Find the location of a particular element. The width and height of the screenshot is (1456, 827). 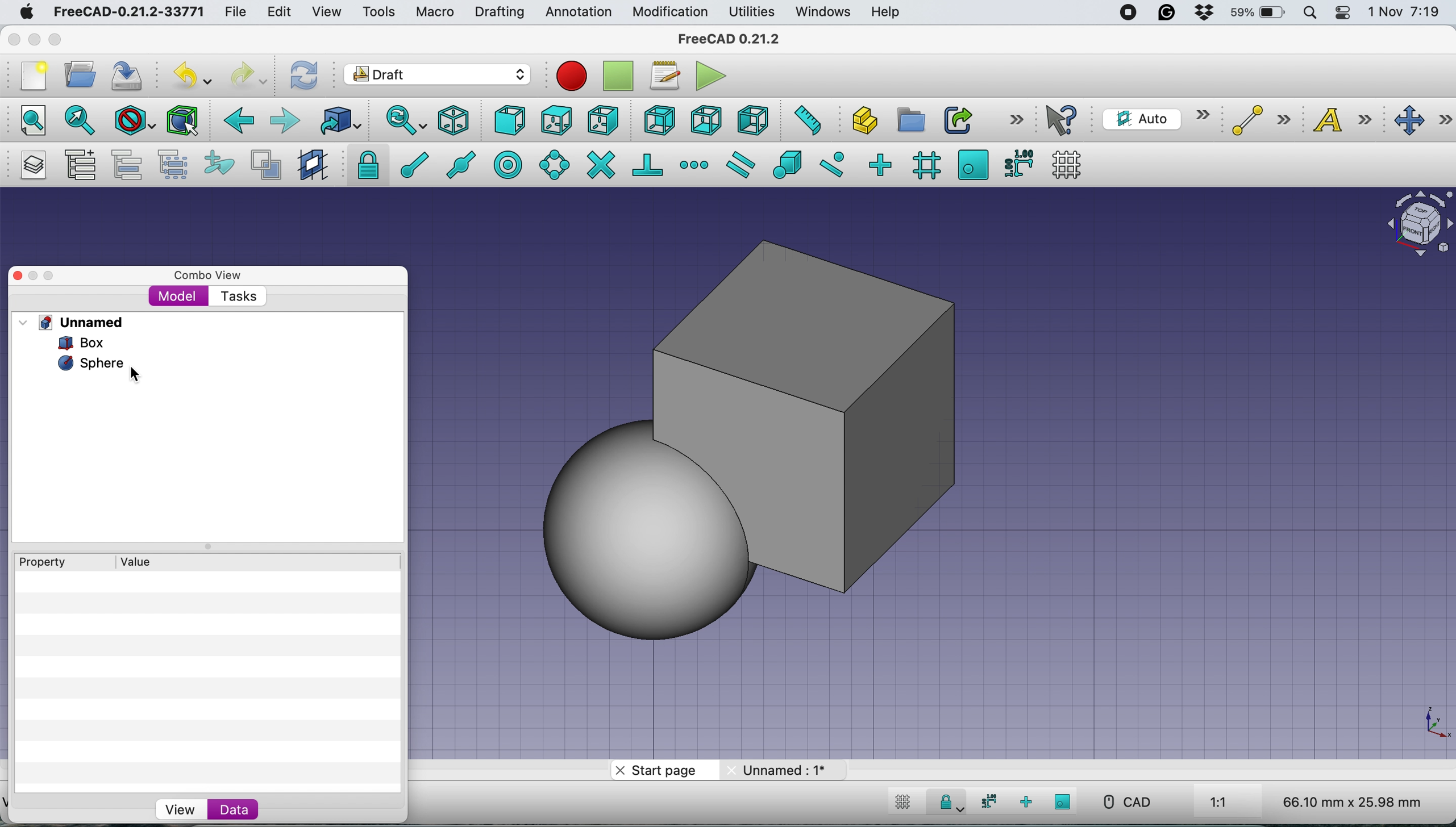

snap angel is located at coordinates (551, 164).